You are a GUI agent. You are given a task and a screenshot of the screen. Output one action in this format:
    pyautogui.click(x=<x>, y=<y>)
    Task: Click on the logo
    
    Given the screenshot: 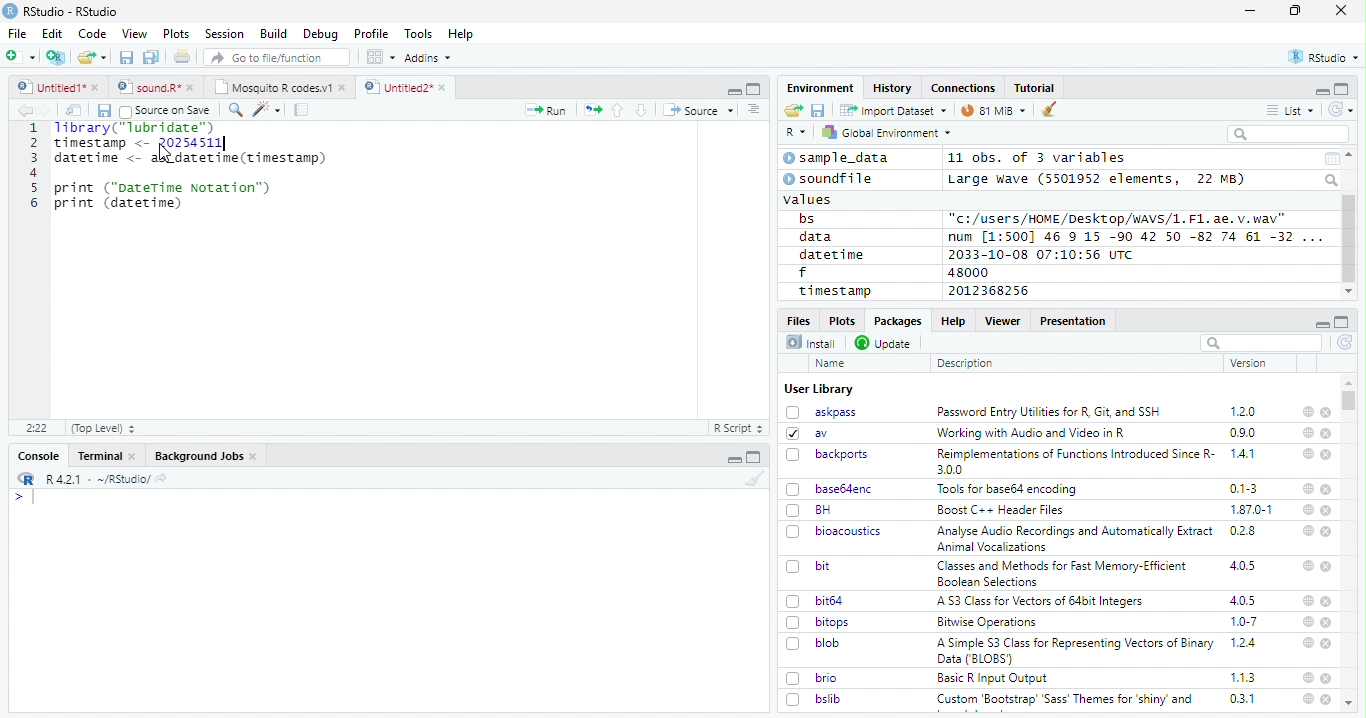 What is the action you would take?
    pyautogui.click(x=10, y=11)
    